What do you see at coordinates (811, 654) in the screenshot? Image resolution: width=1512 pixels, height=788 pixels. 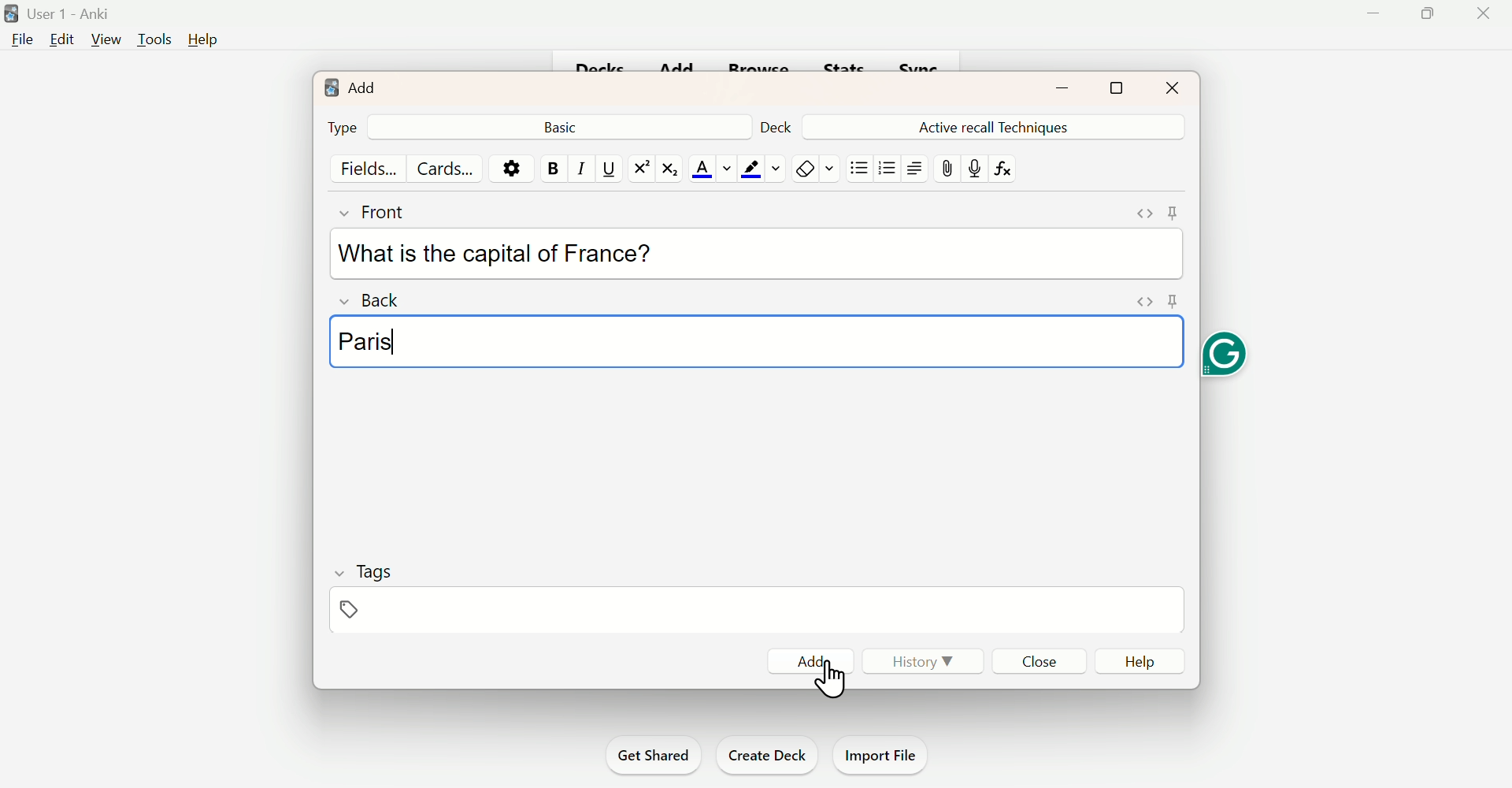 I see `Add` at bounding box center [811, 654].